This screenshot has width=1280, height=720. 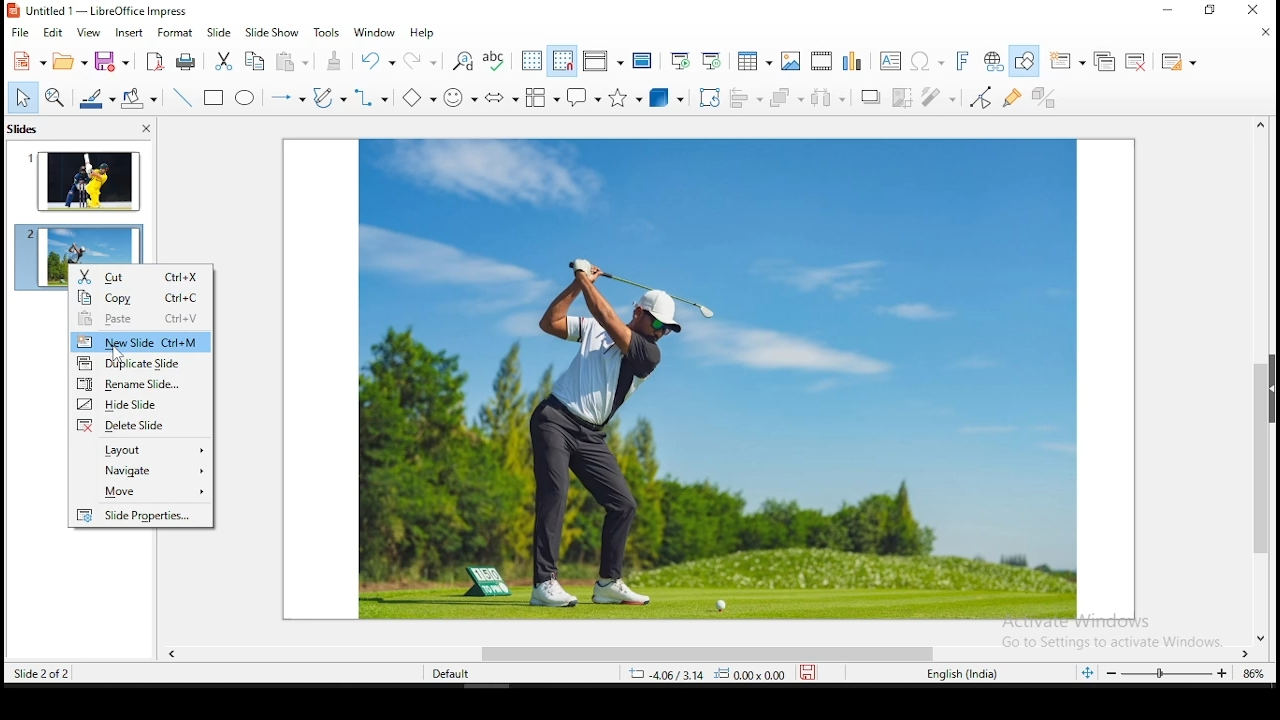 What do you see at coordinates (459, 97) in the screenshot?
I see `symbol shapes` at bounding box center [459, 97].